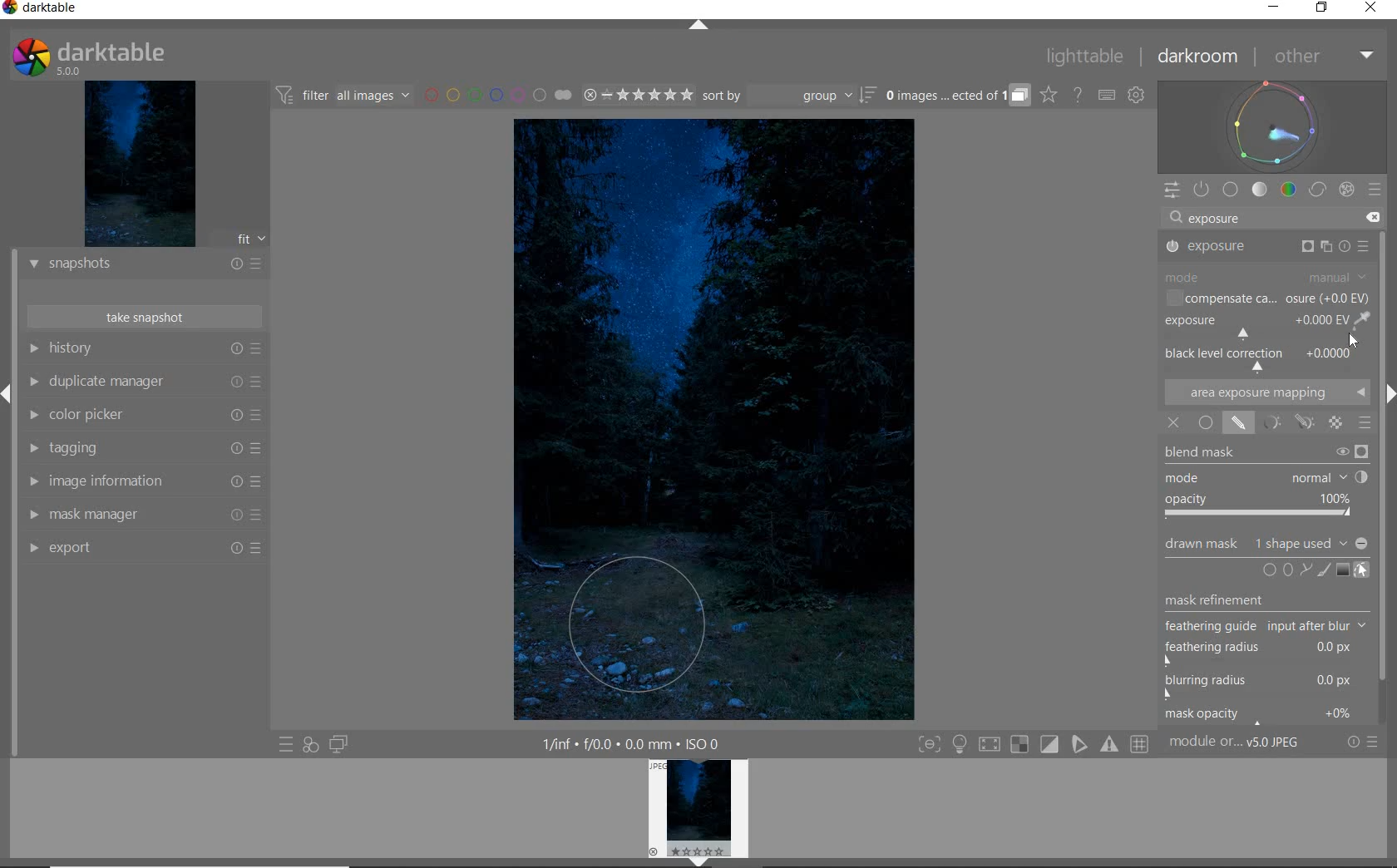  Describe the element at coordinates (146, 318) in the screenshot. I see `TAKE SNAPSHOT` at that location.